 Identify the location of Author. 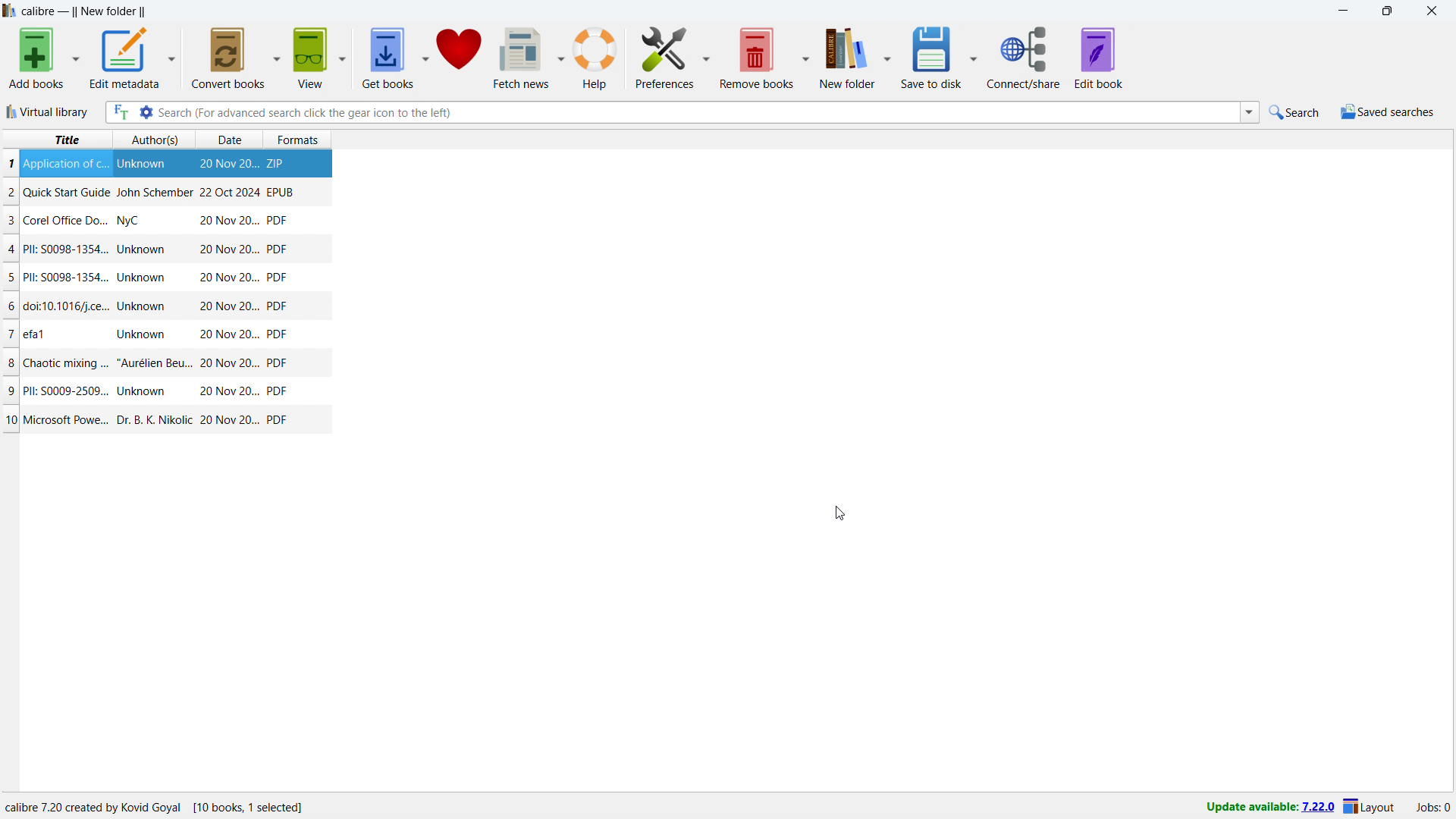
(153, 192).